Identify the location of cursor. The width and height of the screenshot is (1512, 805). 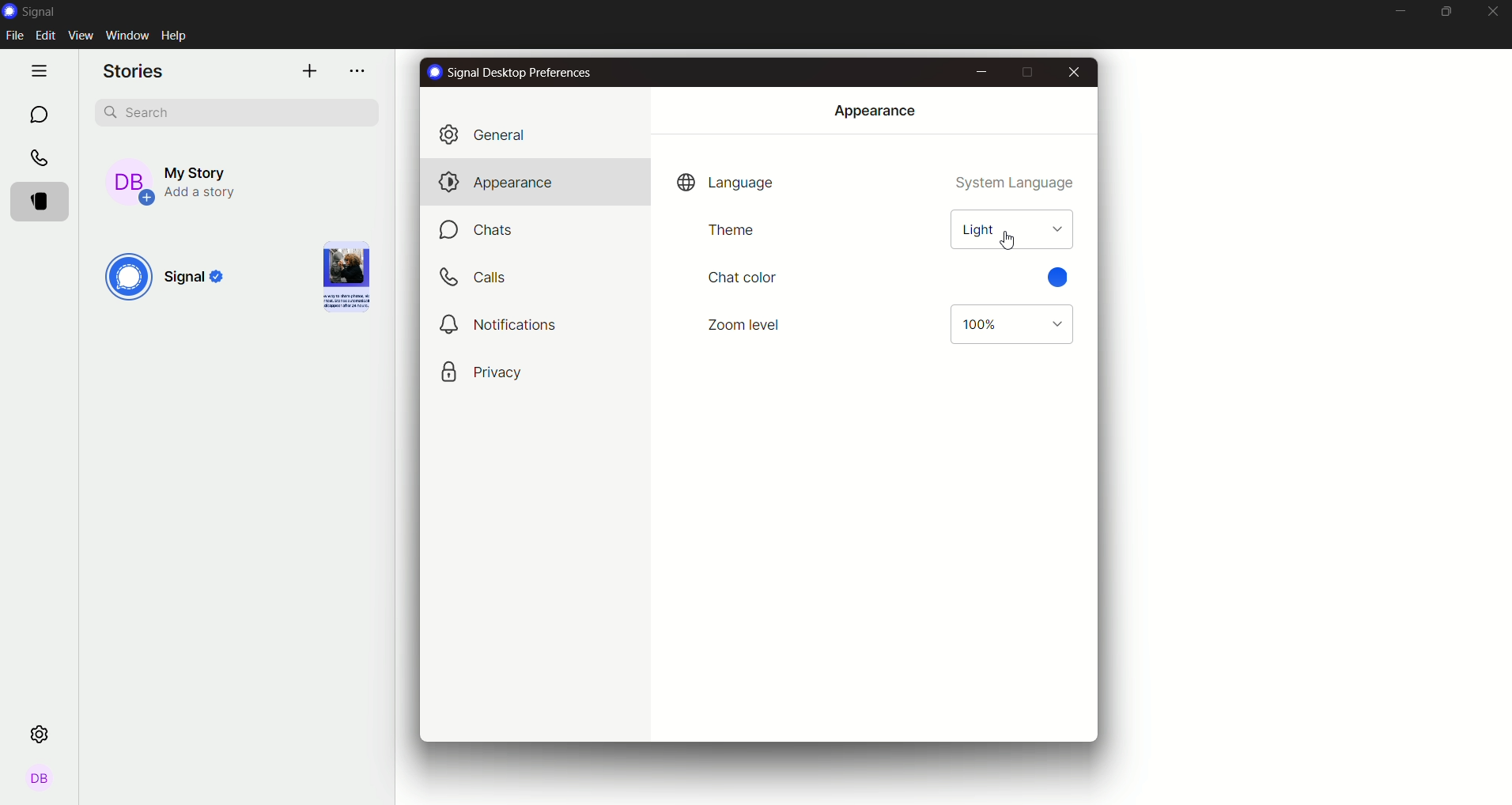
(1014, 240).